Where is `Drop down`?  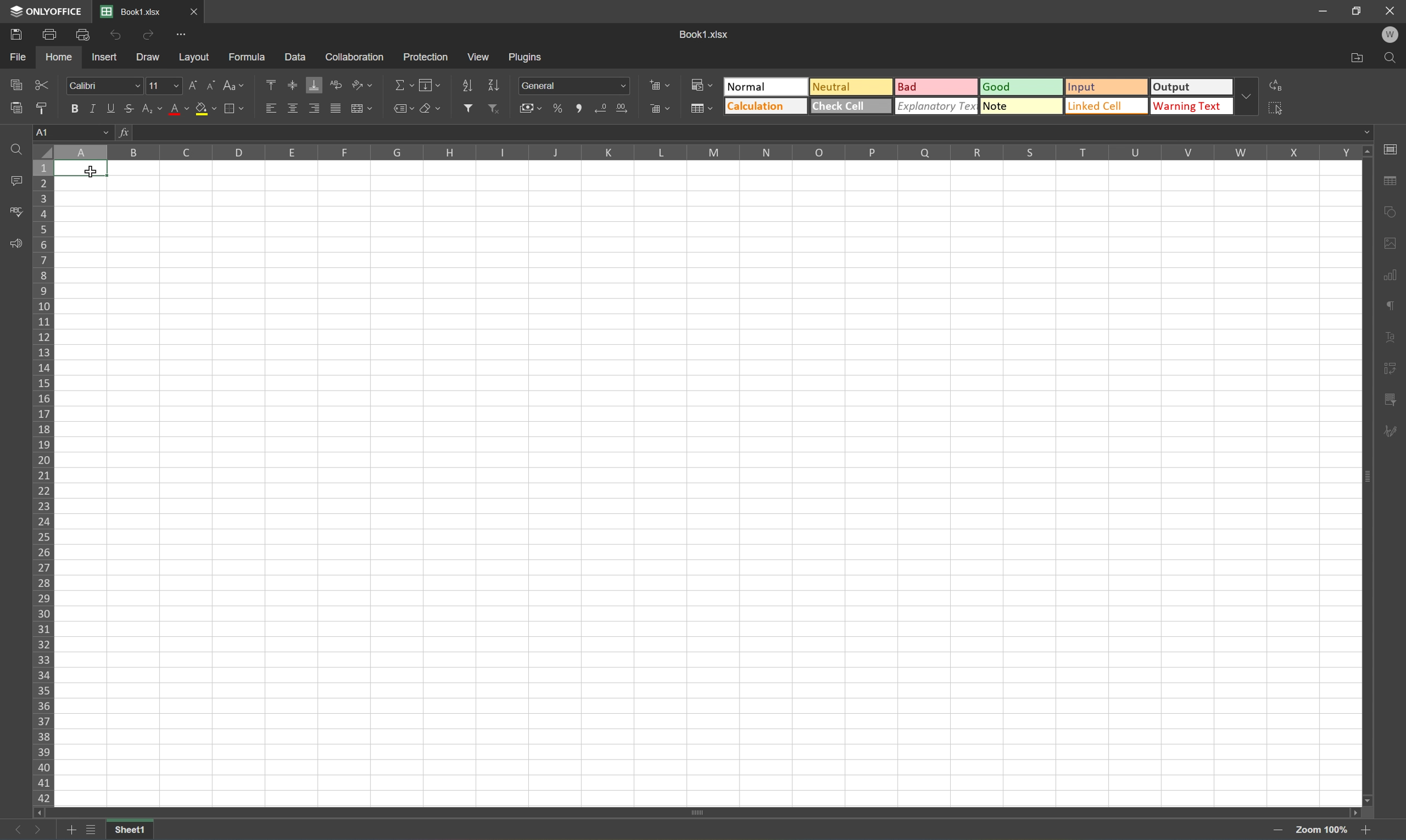 Drop down is located at coordinates (1251, 97).